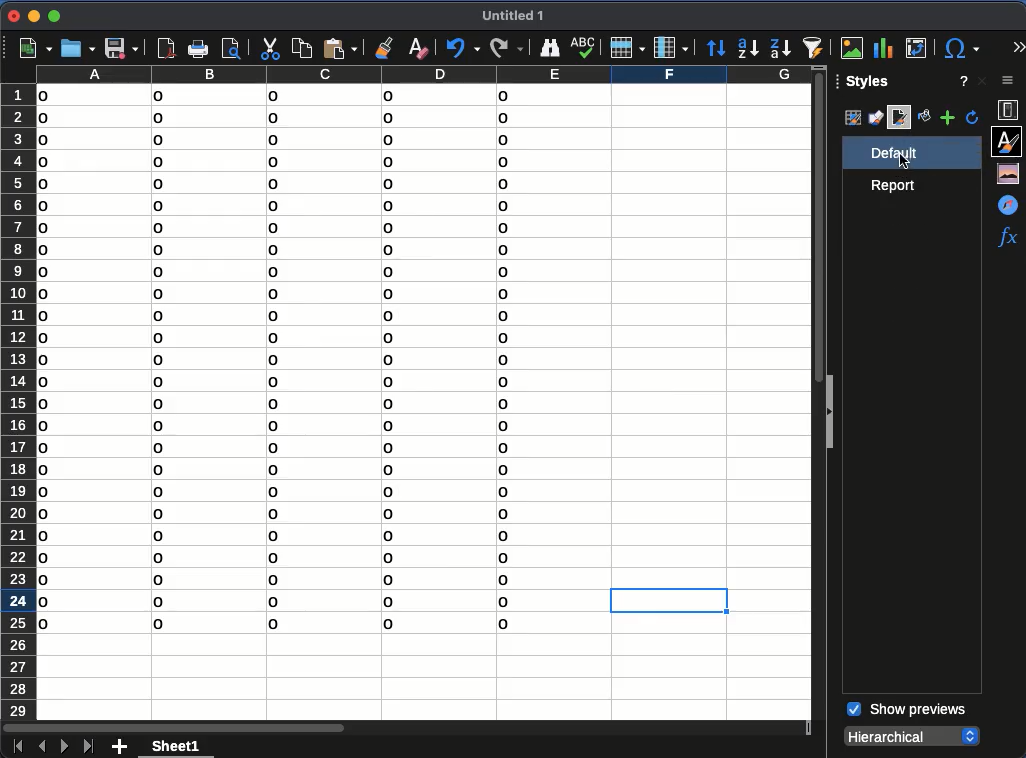 Image resolution: width=1026 pixels, height=758 pixels. What do you see at coordinates (15, 745) in the screenshot?
I see `first sheet` at bounding box center [15, 745].